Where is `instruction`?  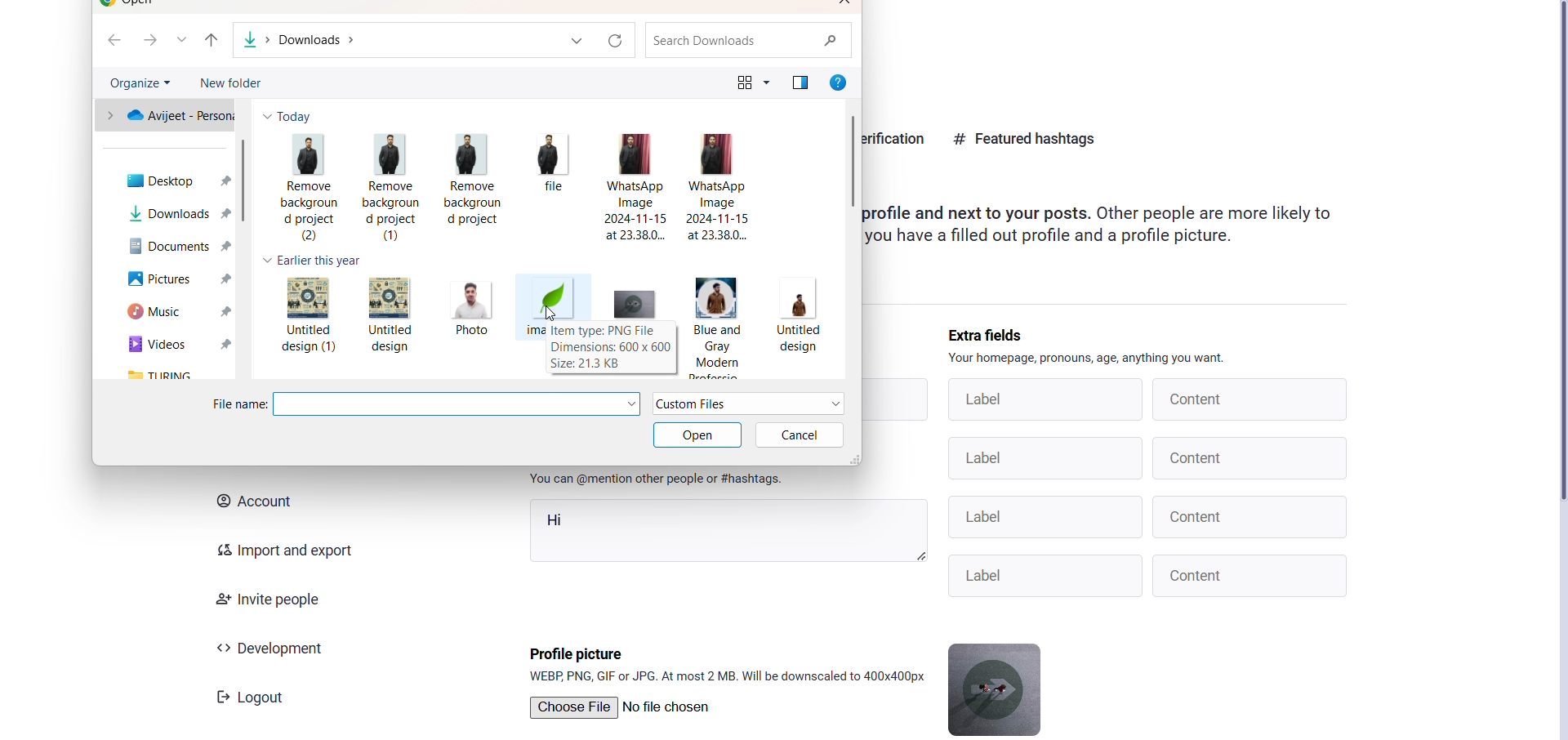
instruction is located at coordinates (656, 480).